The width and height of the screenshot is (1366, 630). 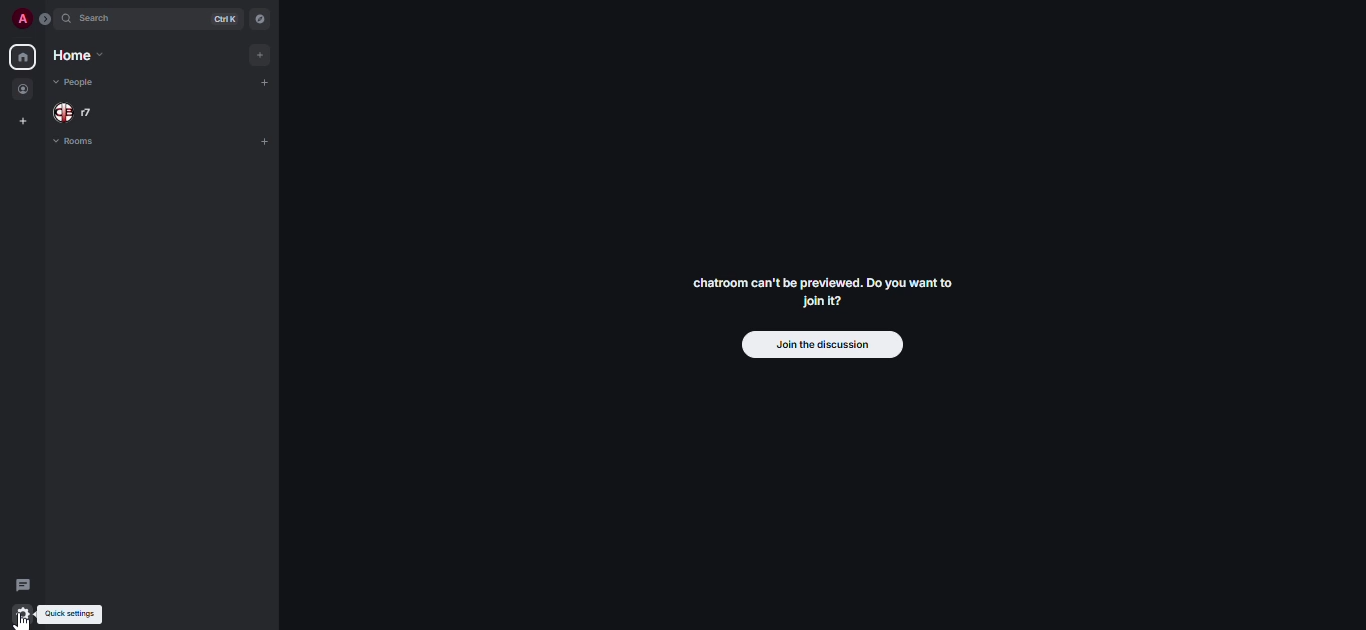 What do you see at coordinates (819, 291) in the screenshot?
I see `chatroom can't be previewed. Join it?` at bounding box center [819, 291].